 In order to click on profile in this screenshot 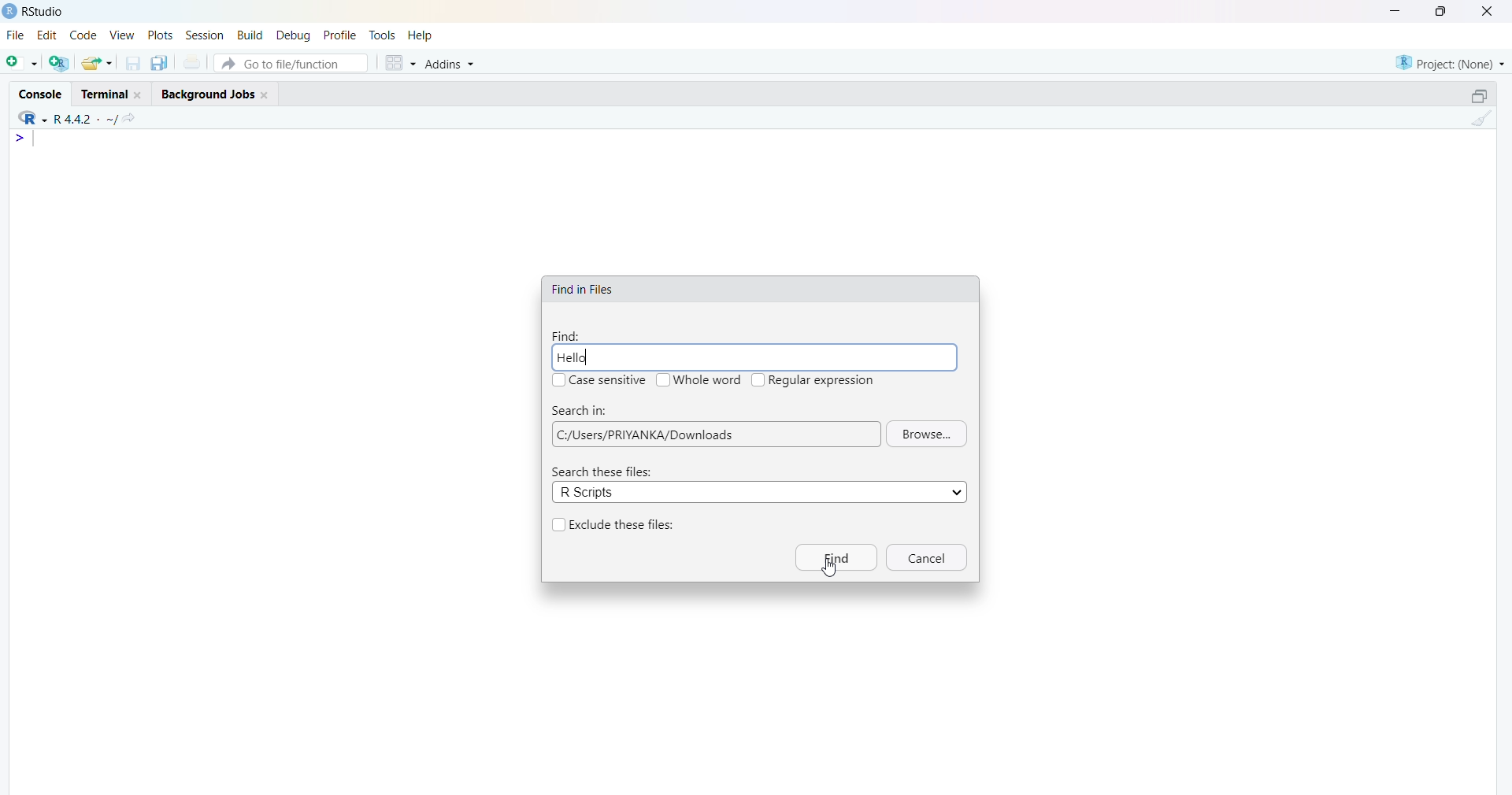, I will do `click(343, 35)`.